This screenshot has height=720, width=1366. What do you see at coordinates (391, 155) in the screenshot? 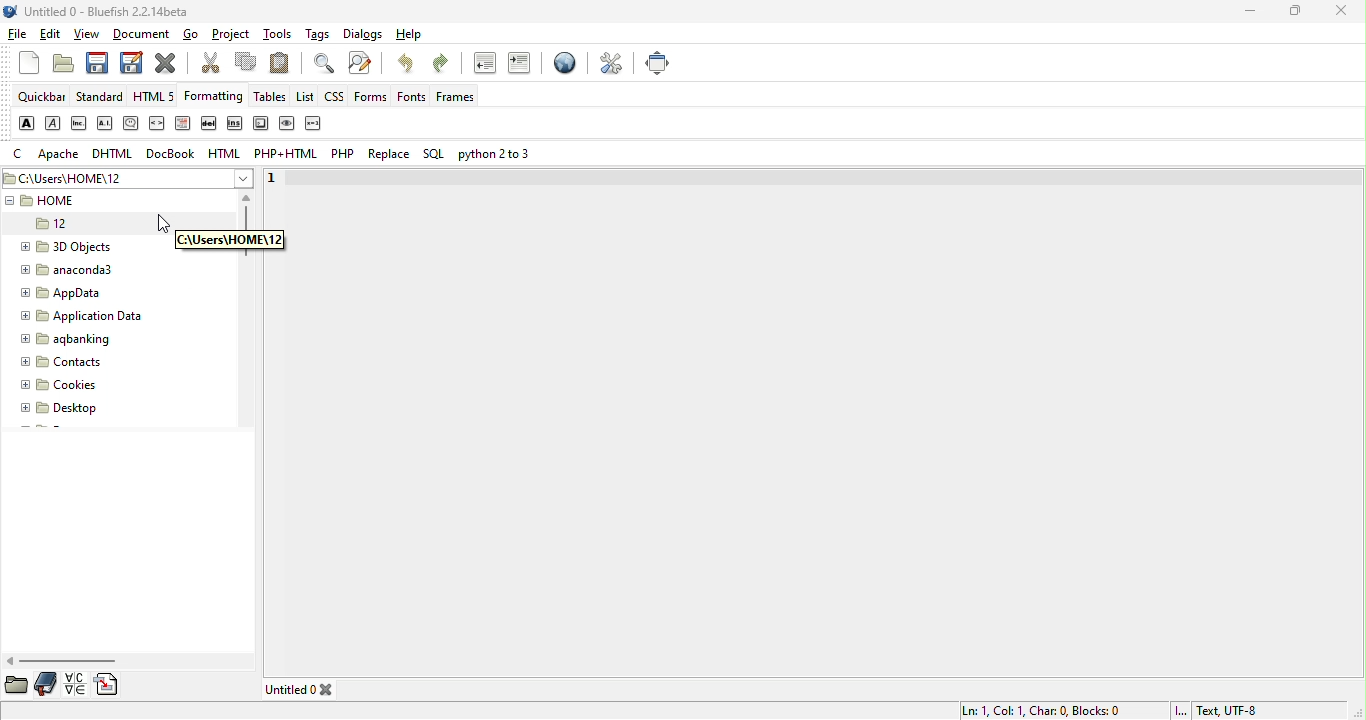
I see `replace` at bounding box center [391, 155].